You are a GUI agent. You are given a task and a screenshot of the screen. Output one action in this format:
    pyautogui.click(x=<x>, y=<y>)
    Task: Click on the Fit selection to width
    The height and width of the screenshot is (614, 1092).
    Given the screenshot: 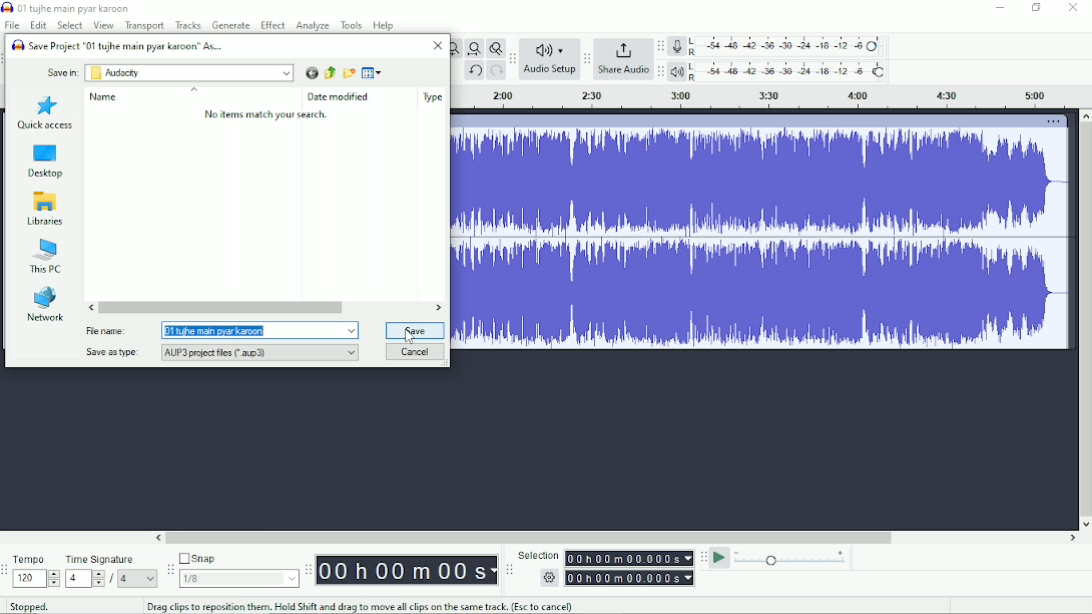 What is the action you would take?
    pyautogui.click(x=456, y=47)
    